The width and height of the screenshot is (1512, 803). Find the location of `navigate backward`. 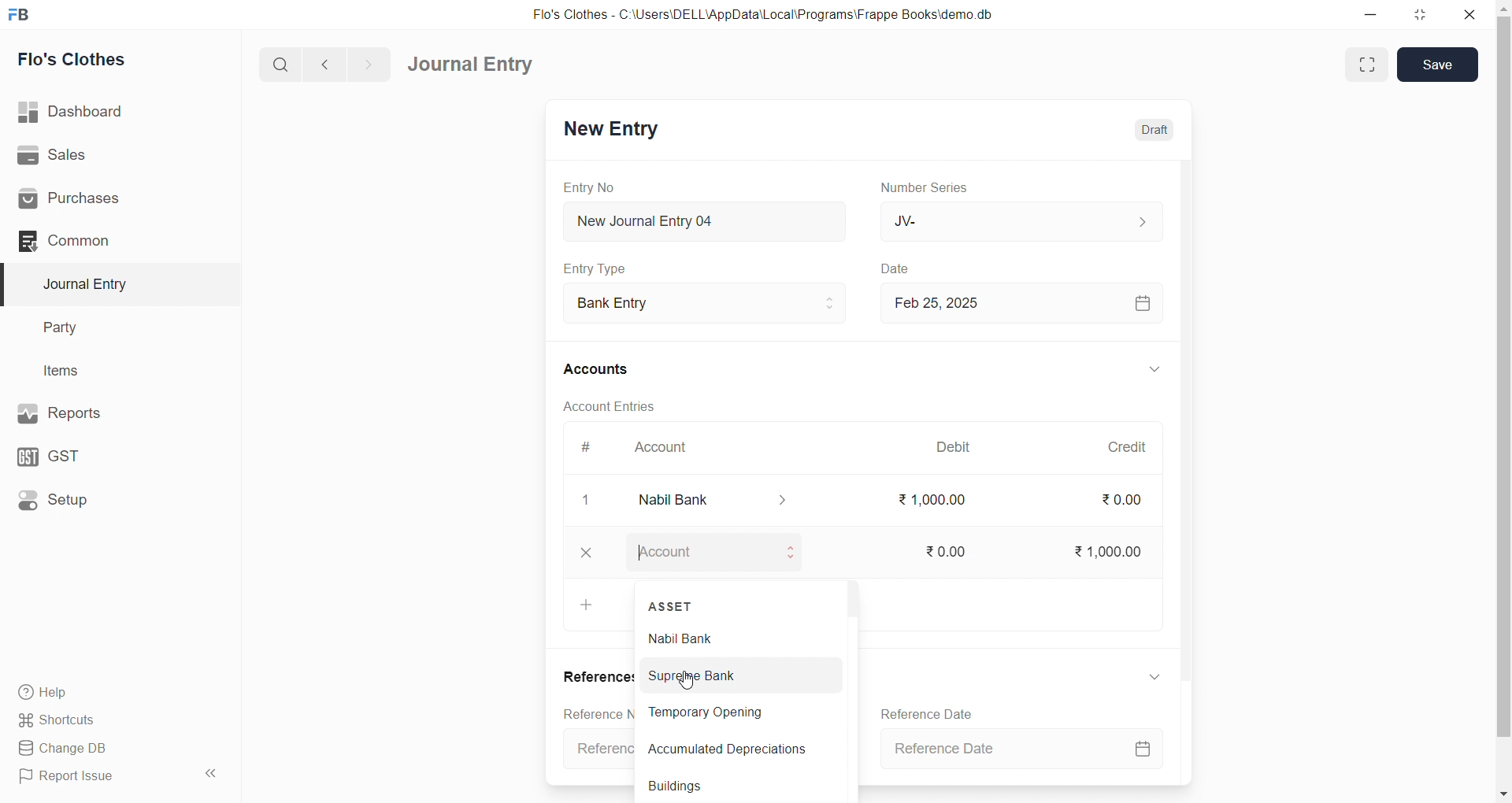

navigate backward is located at coordinates (332, 62).